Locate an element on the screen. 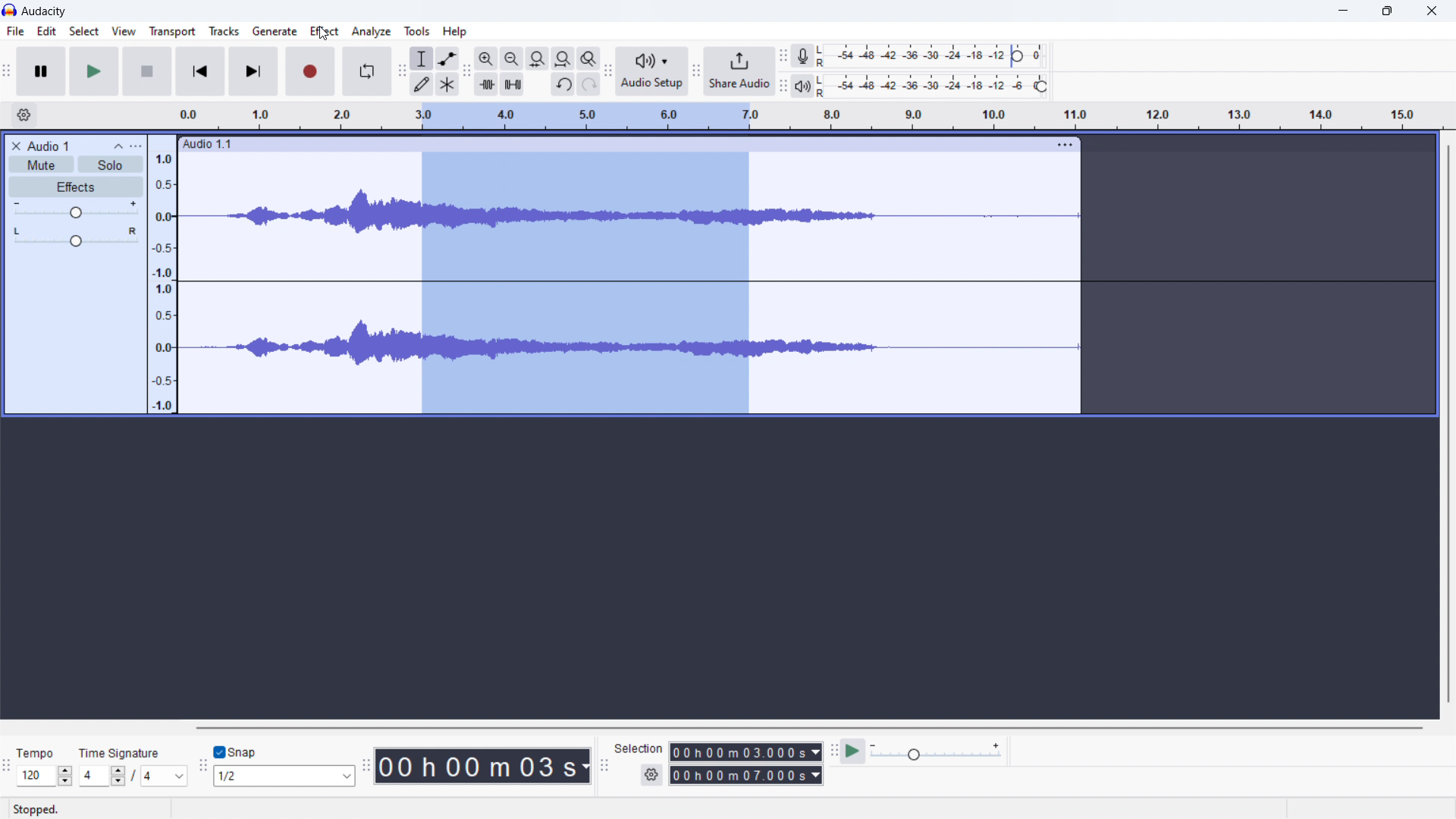  / is located at coordinates (134, 775).